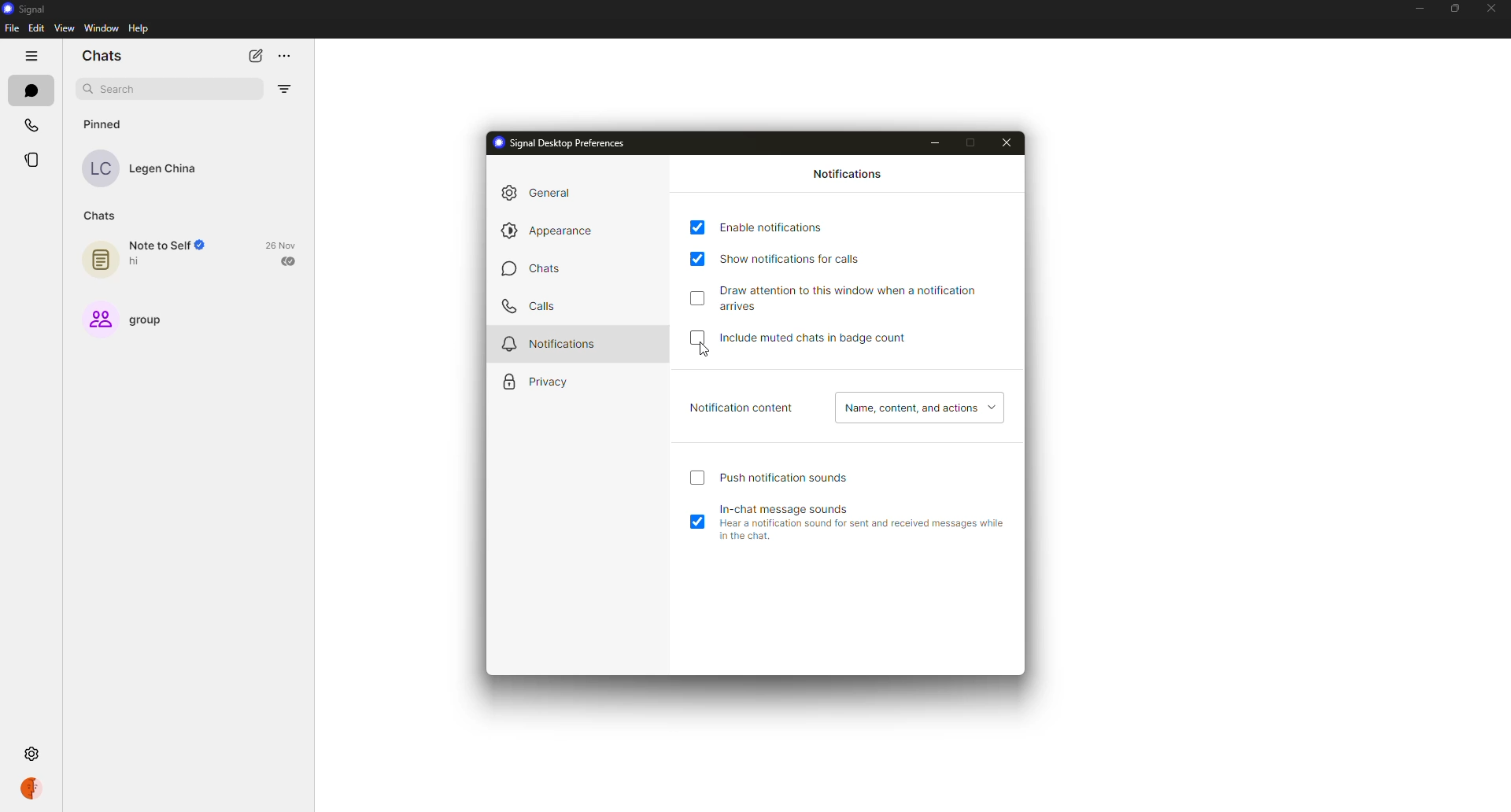 This screenshot has width=1511, height=812. What do you see at coordinates (803, 258) in the screenshot?
I see `show notifications for calls` at bounding box center [803, 258].